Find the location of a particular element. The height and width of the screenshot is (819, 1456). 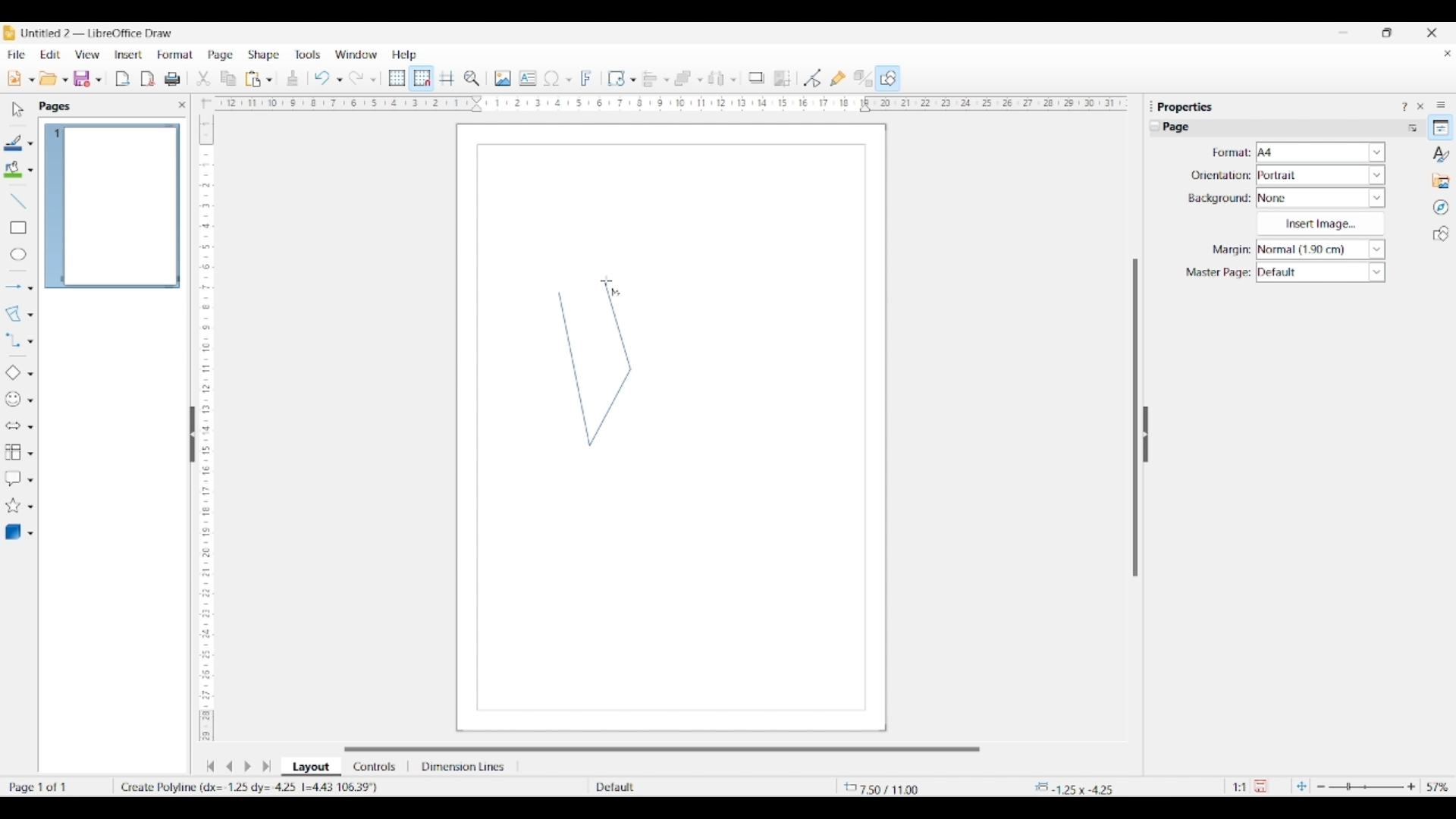

Controls is located at coordinates (376, 767).